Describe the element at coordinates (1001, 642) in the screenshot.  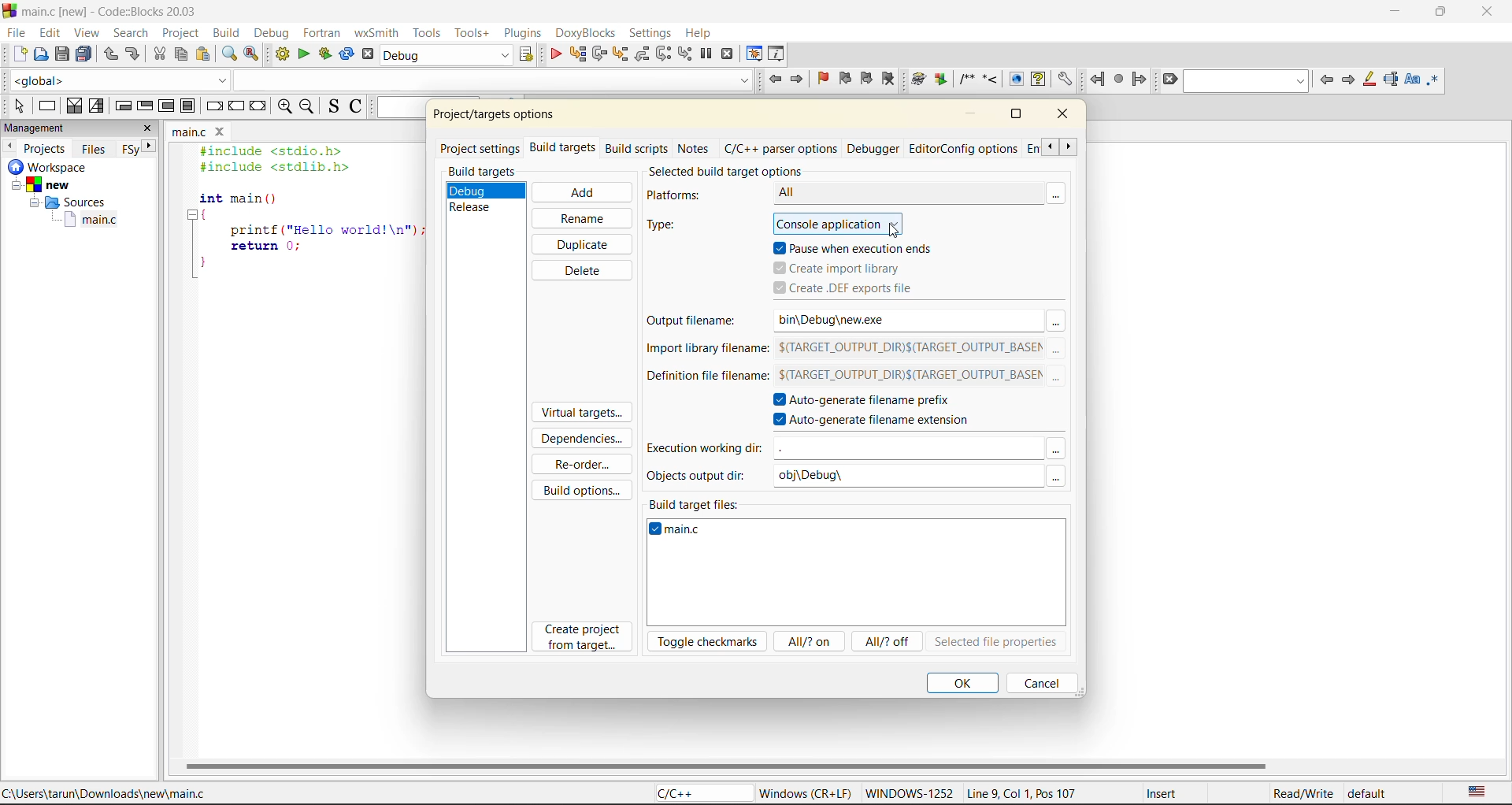
I see `selected file properties` at that location.